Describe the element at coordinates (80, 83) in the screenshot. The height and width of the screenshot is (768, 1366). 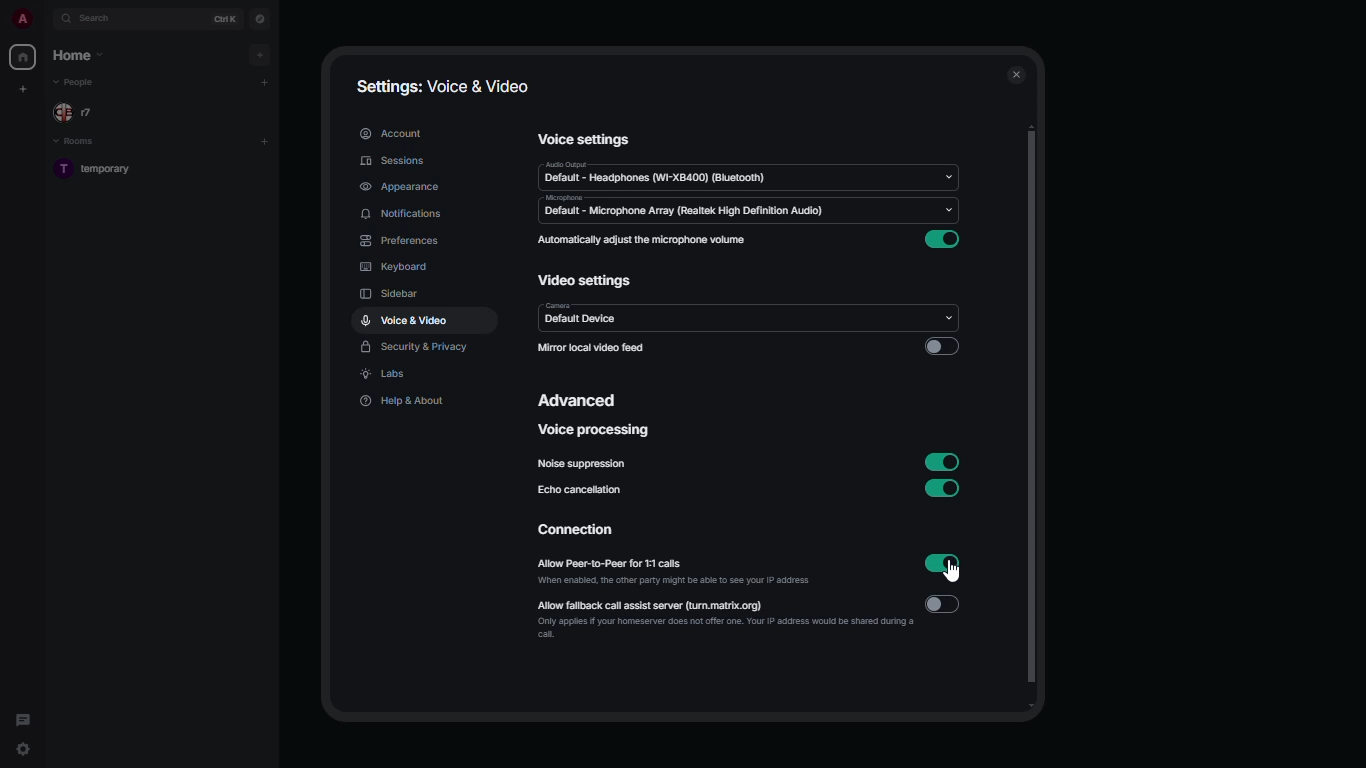
I see `people` at that location.